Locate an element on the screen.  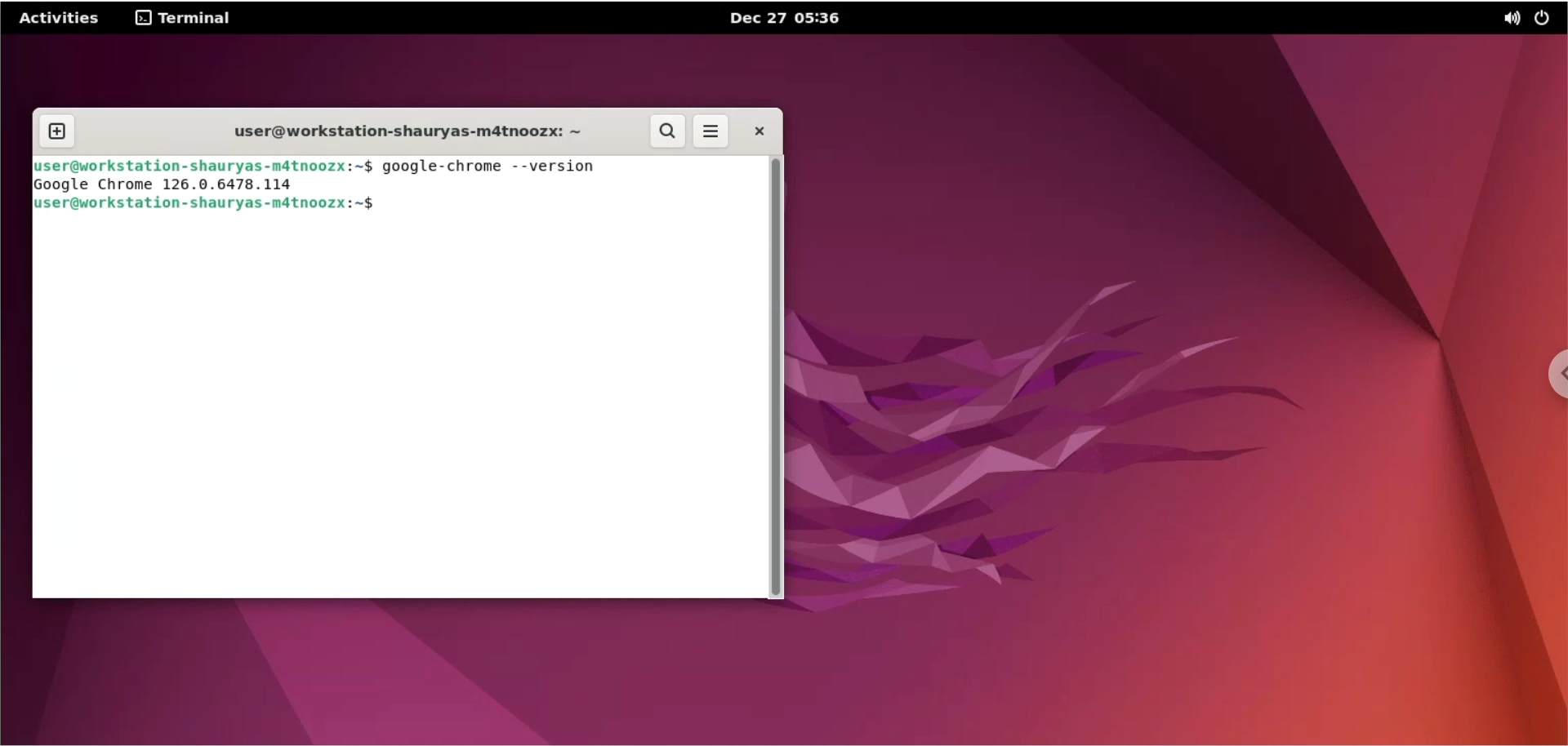
Close is located at coordinates (758, 131).